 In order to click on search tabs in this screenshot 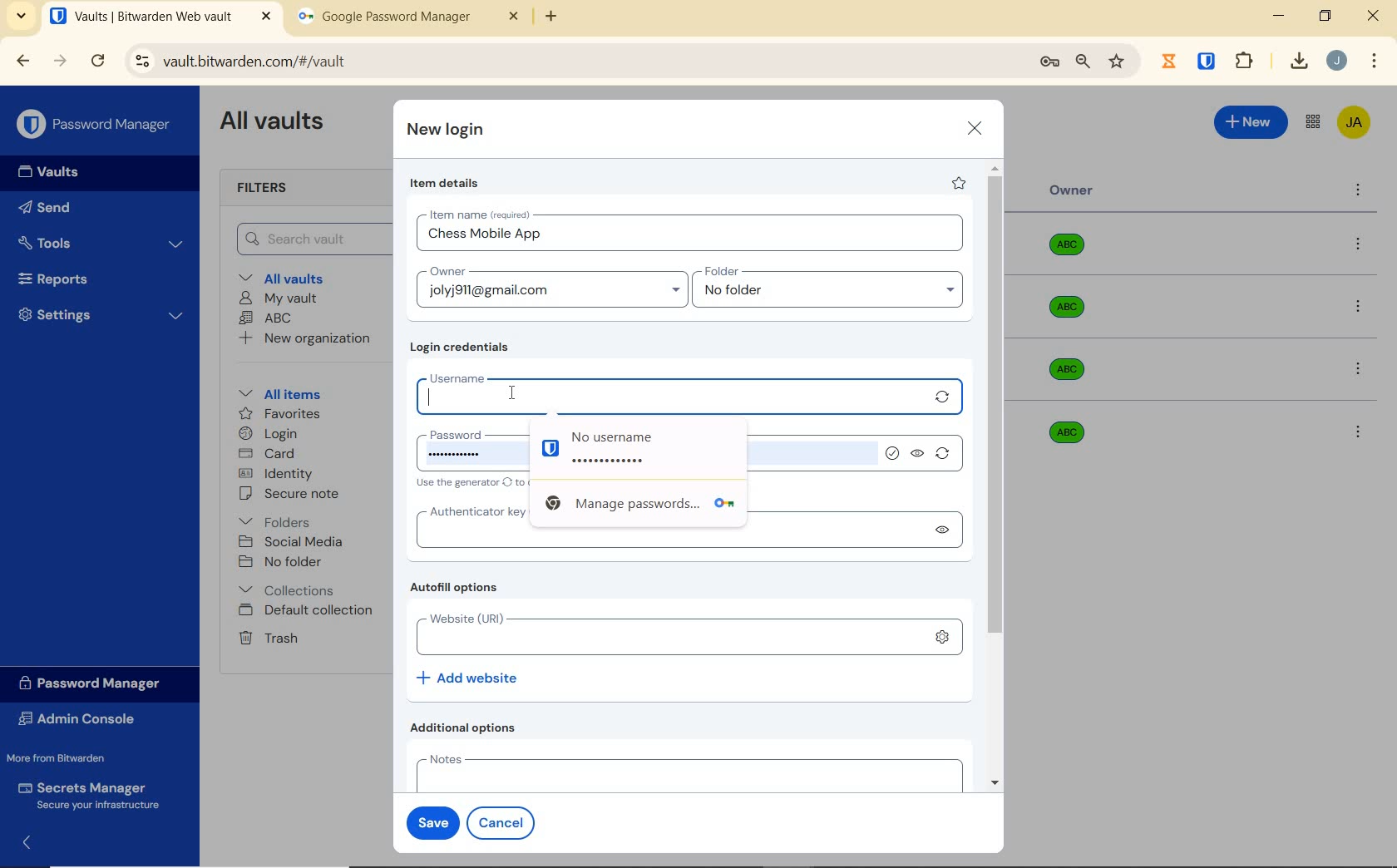, I will do `click(21, 18)`.